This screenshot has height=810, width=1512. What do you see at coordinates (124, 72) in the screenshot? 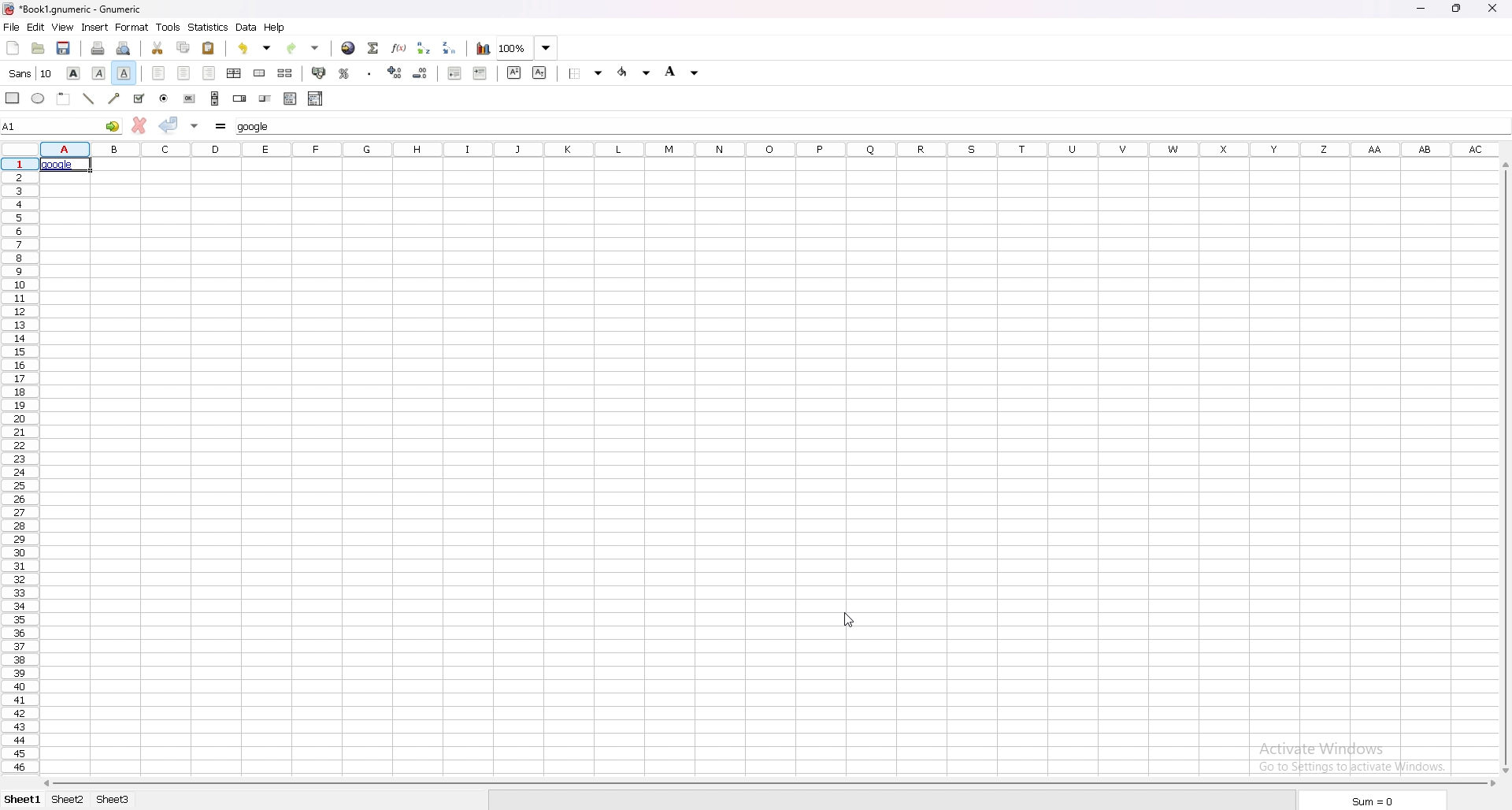
I see `underline` at bounding box center [124, 72].